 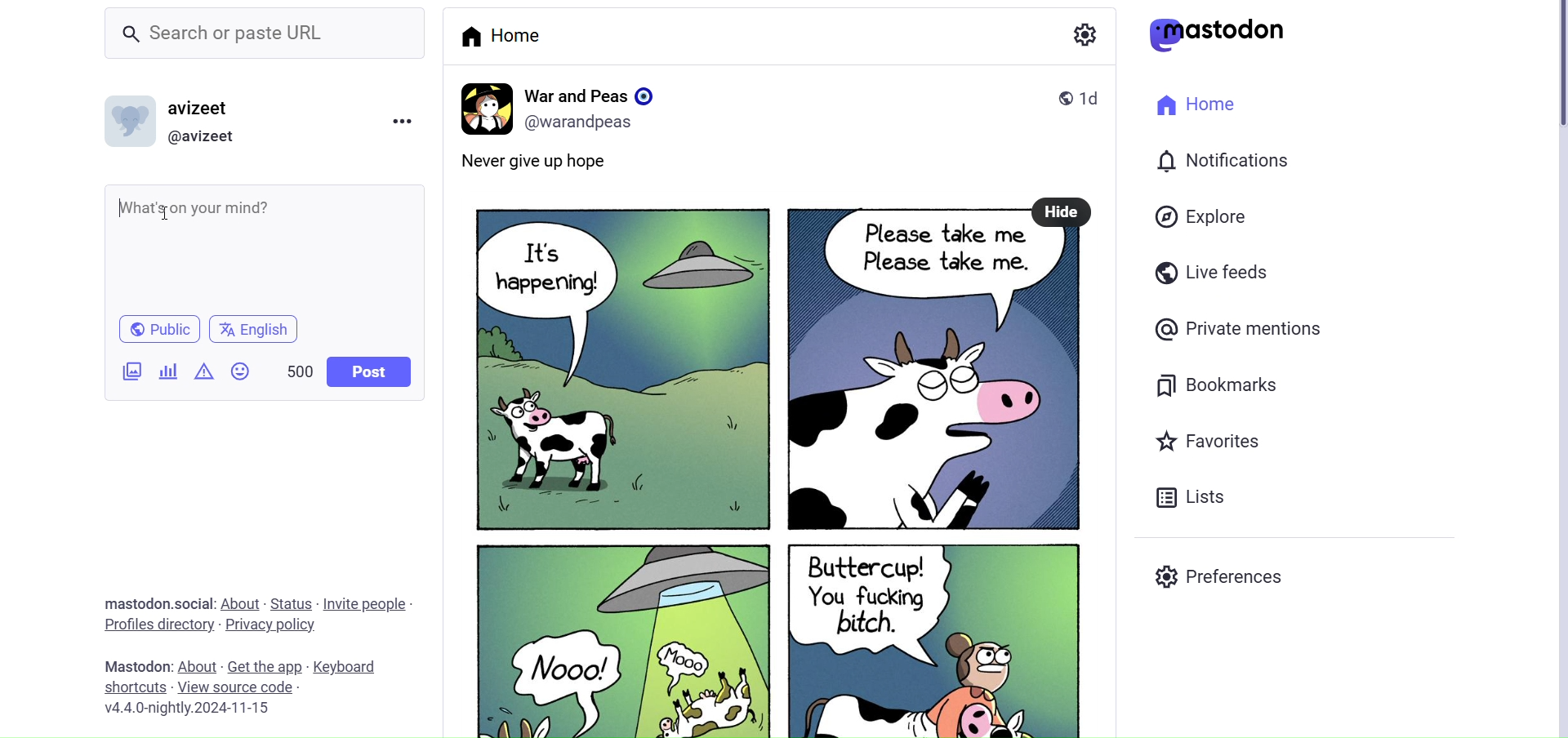 What do you see at coordinates (166, 370) in the screenshot?
I see `Post Poll` at bounding box center [166, 370].